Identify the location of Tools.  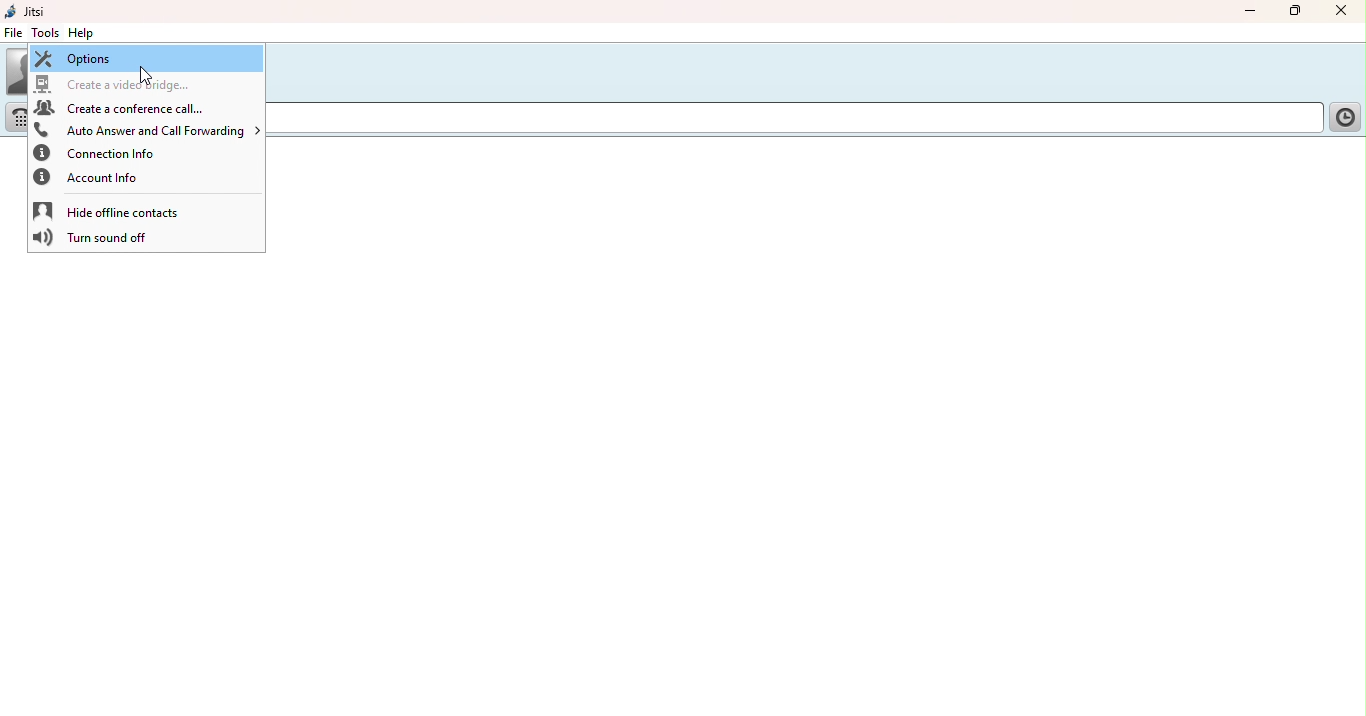
(46, 32).